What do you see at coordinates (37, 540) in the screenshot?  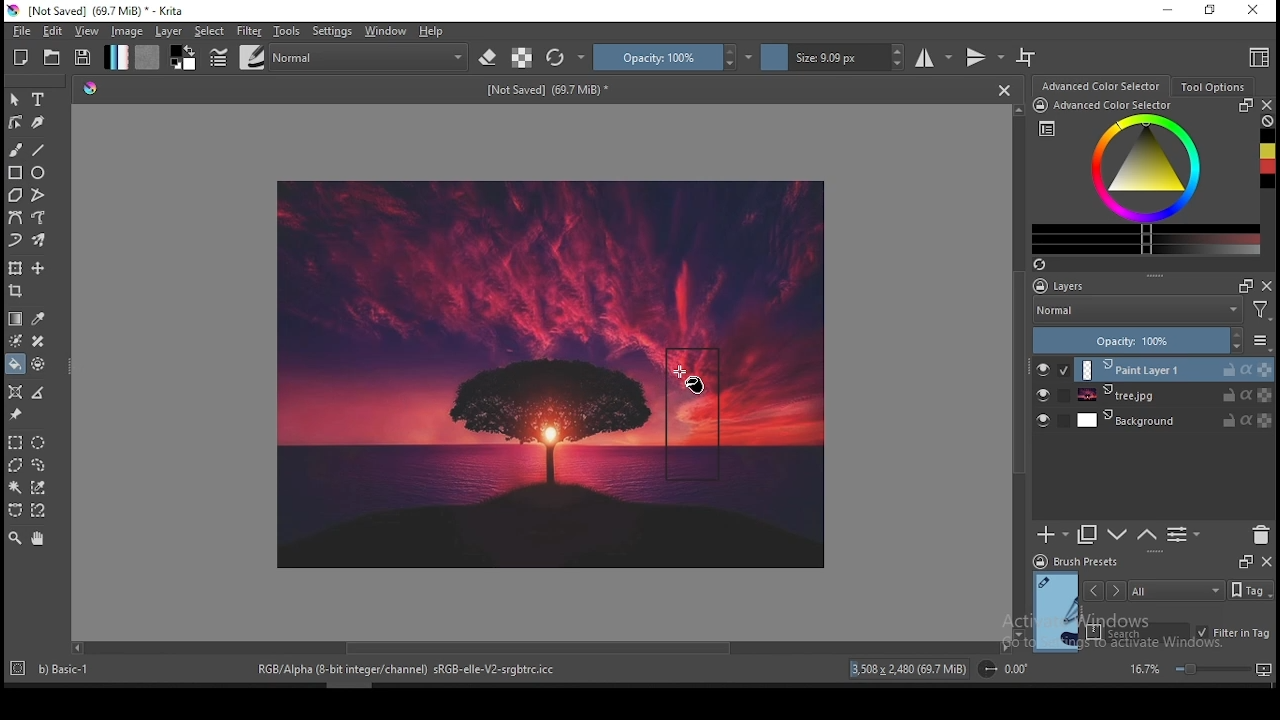 I see `pan tool` at bounding box center [37, 540].